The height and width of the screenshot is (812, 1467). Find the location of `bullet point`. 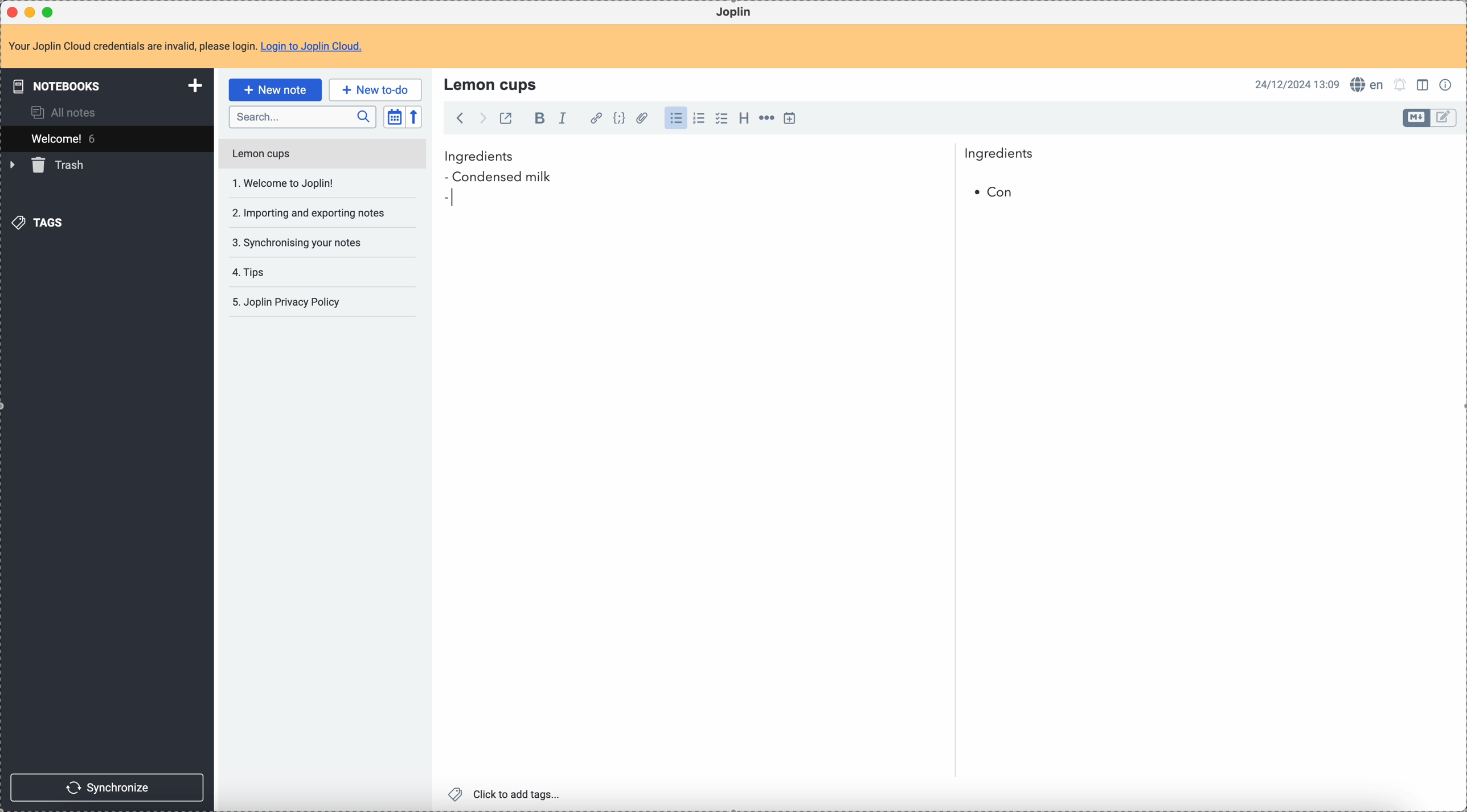

bullet point is located at coordinates (994, 193).